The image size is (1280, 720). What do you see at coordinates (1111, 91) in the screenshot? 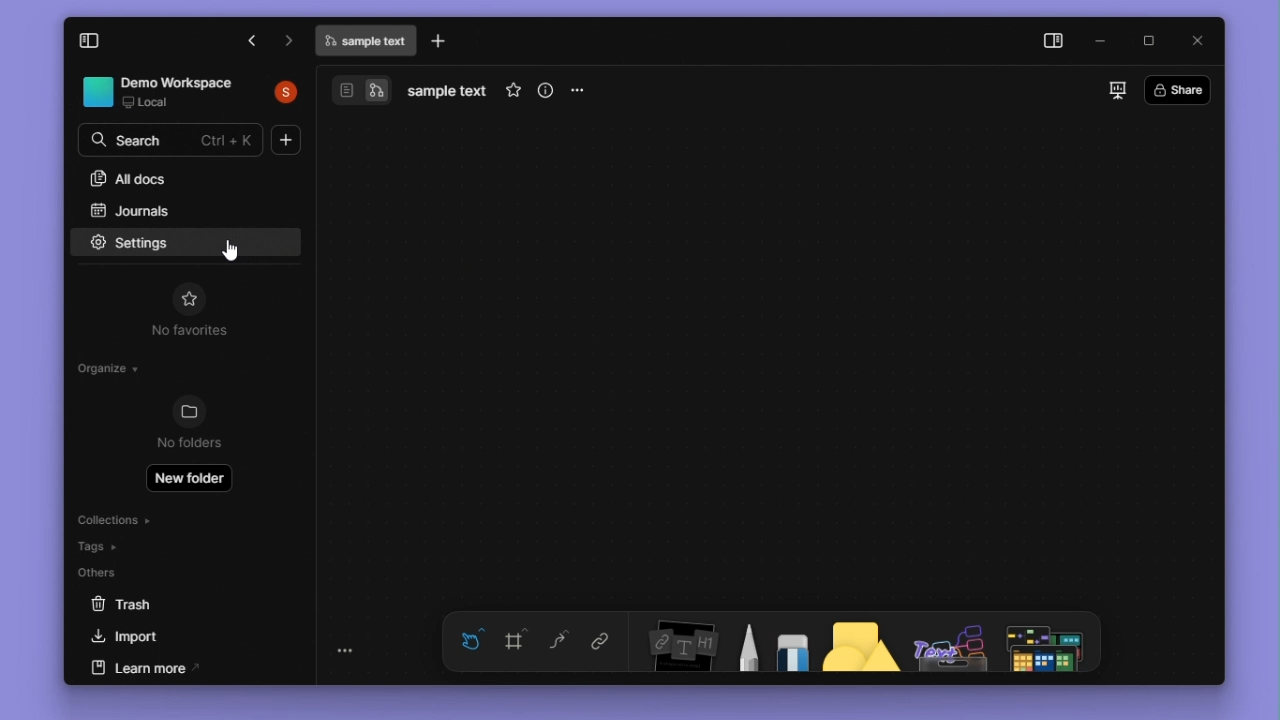
I see `slideshow` at bounding box center [1111, 91].